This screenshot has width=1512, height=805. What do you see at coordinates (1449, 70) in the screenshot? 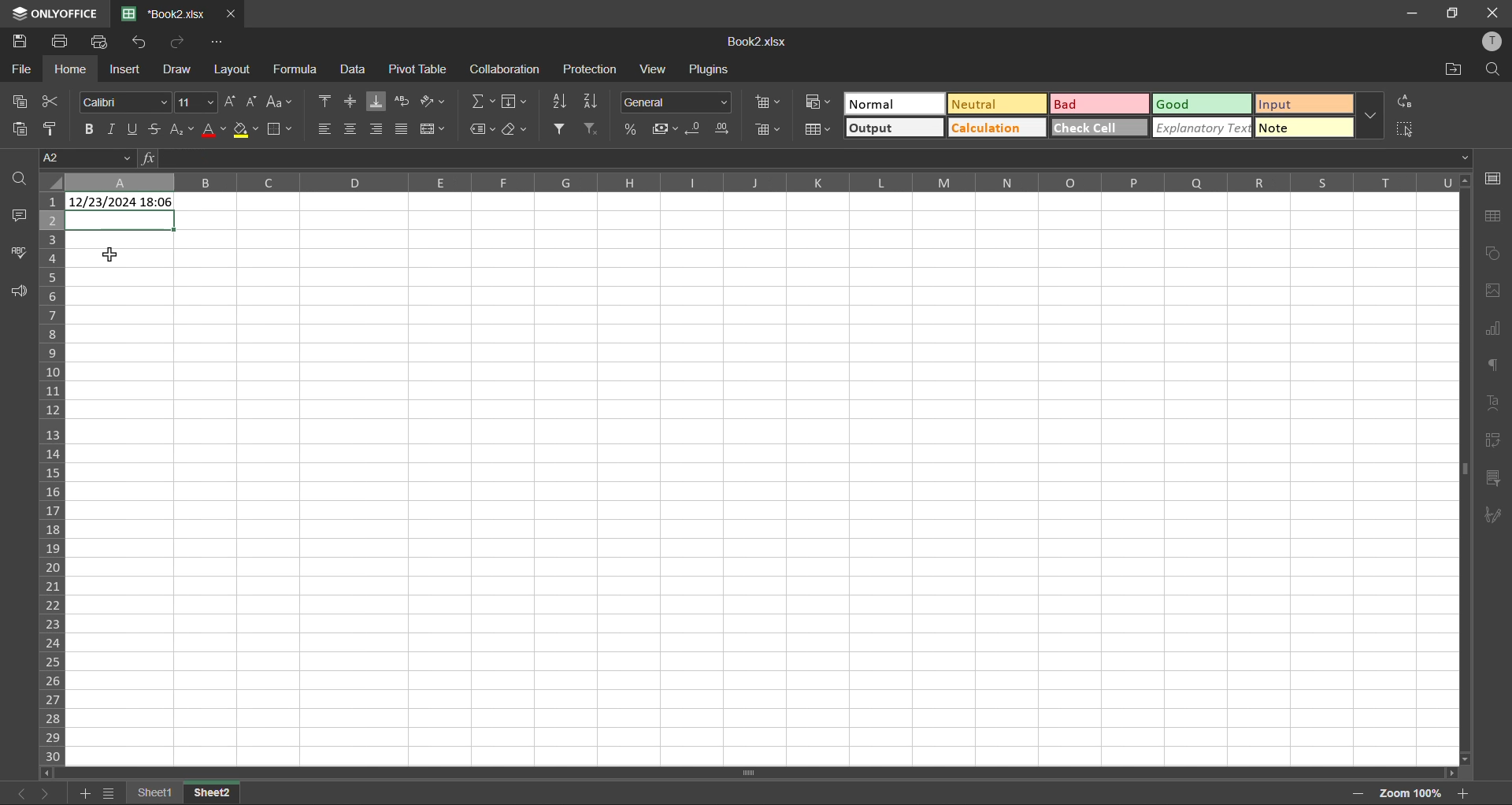
I see `open location` at bounding box center [1449, 70].